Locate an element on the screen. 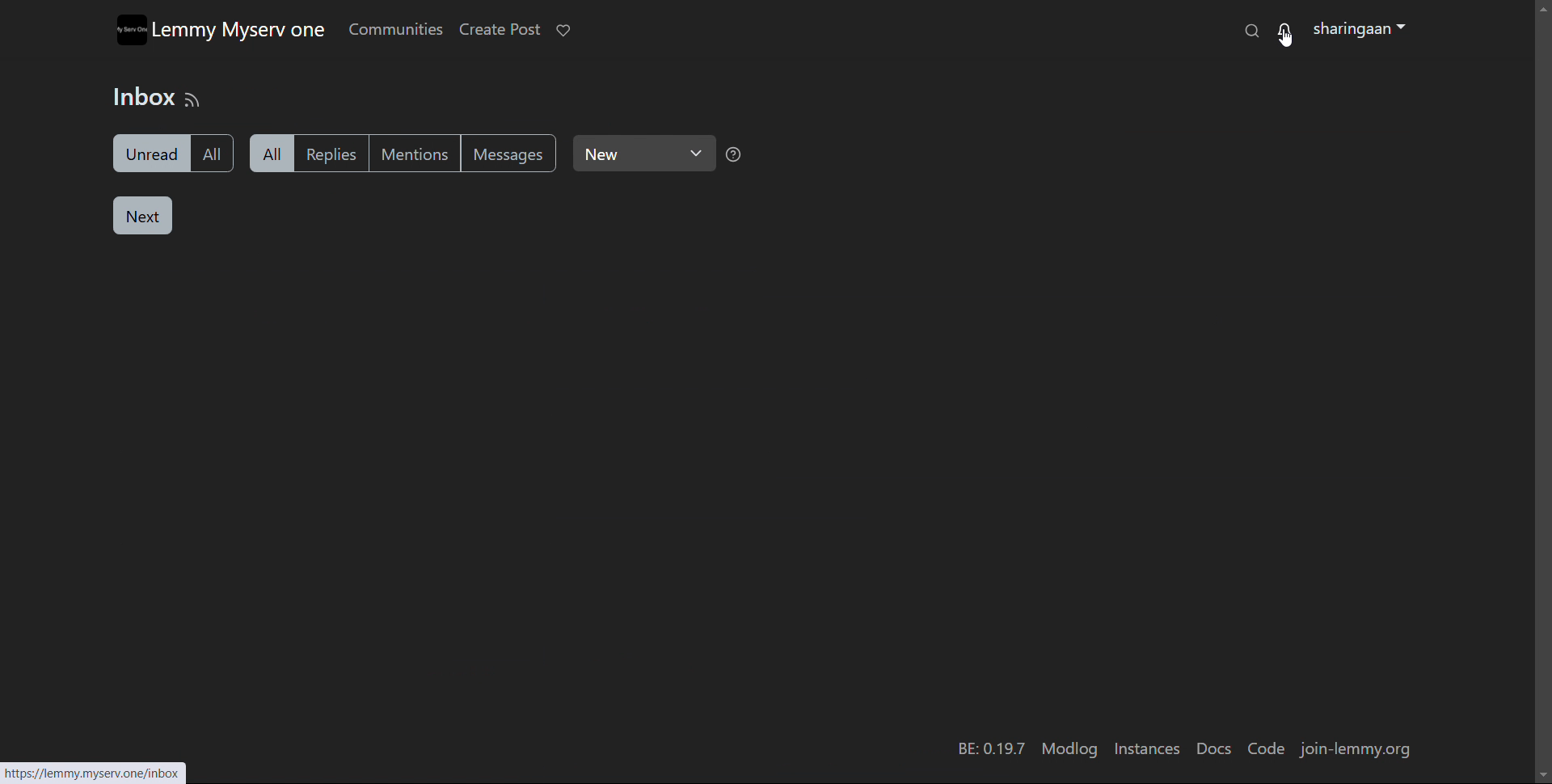 The image size is (1552, 784). Scroll Down is located at coordinates (1538, 774).